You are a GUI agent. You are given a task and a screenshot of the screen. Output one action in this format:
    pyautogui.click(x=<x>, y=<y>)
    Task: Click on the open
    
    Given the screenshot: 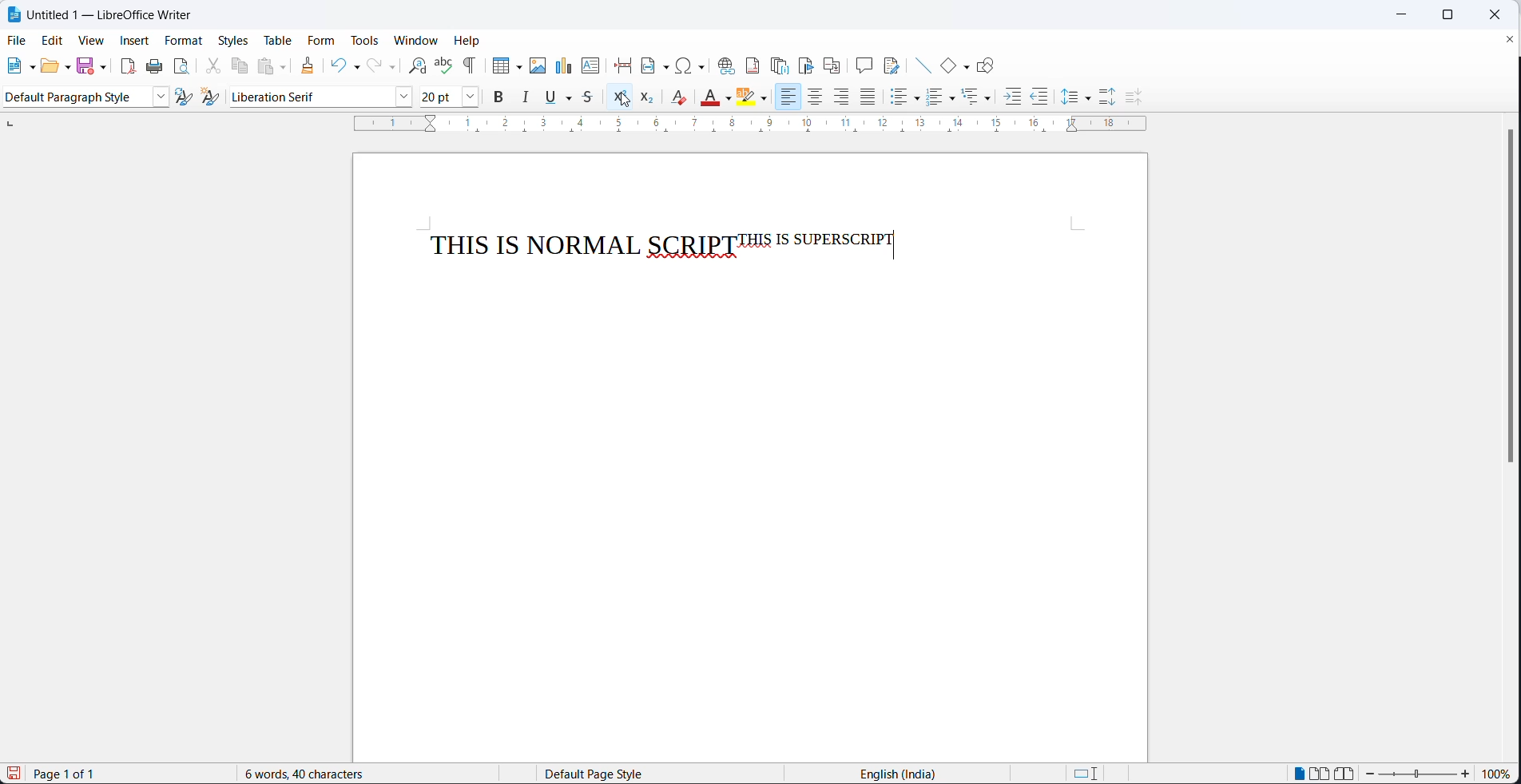 What is the action you would take?
    pyautogui.click(x=48, y=66)
    